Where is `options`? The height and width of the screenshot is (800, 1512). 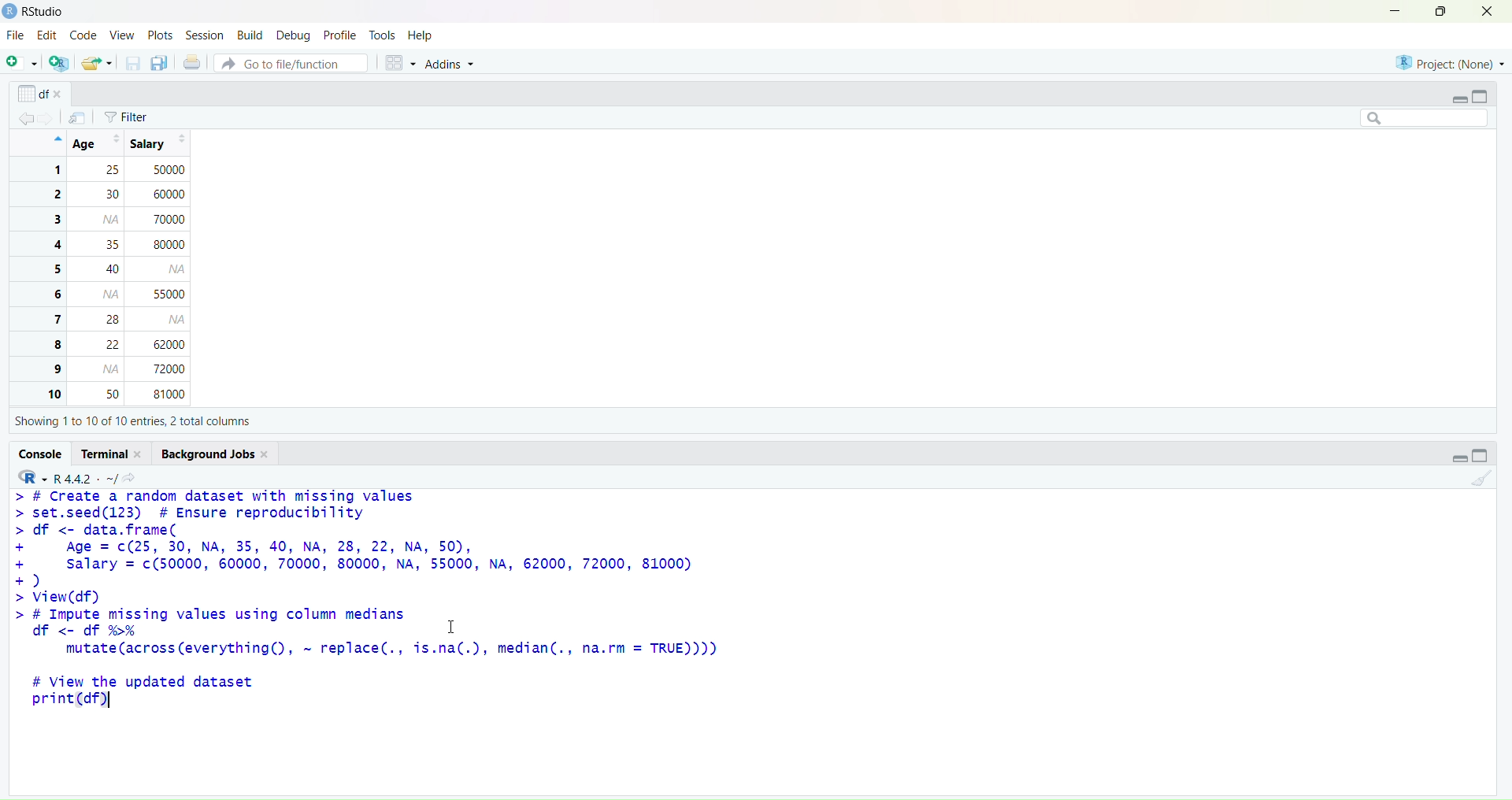 options is located at coordinates (77, 118).